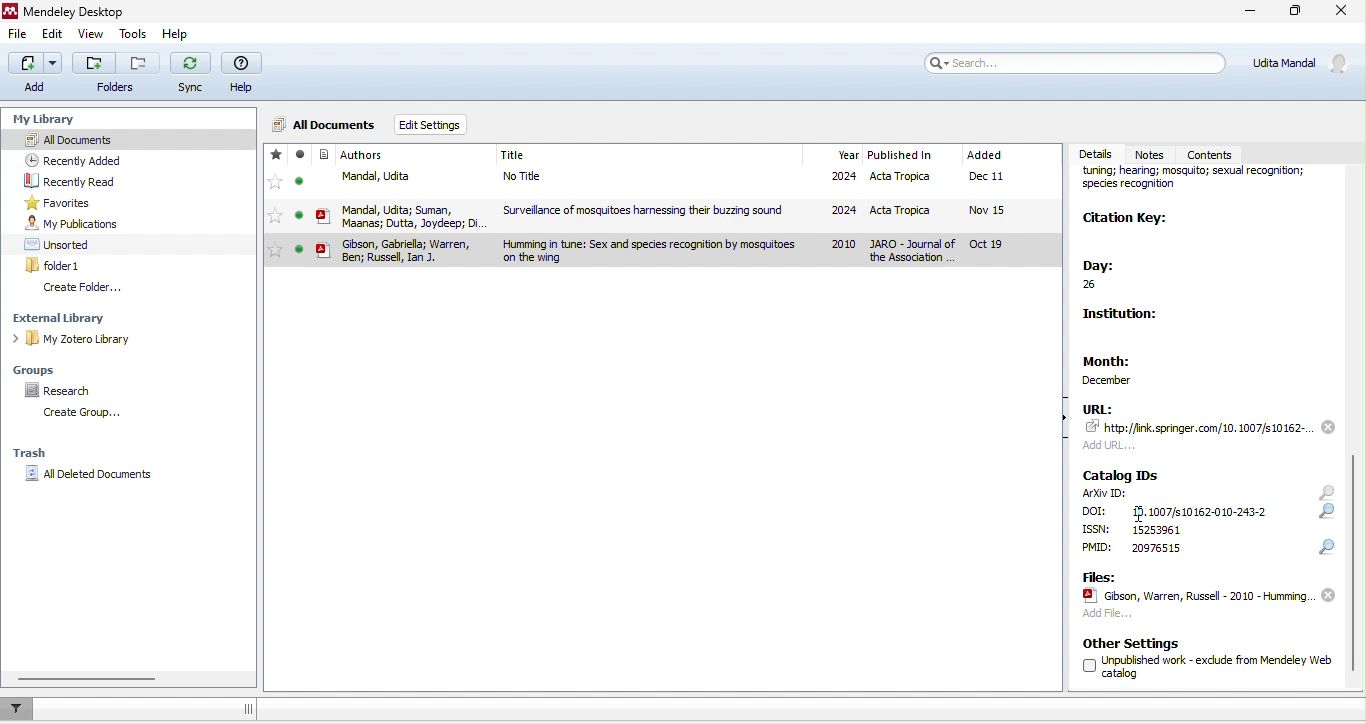  Describe the element at coordinates (900, 156) in the screenshot. I see `published in` at that location.